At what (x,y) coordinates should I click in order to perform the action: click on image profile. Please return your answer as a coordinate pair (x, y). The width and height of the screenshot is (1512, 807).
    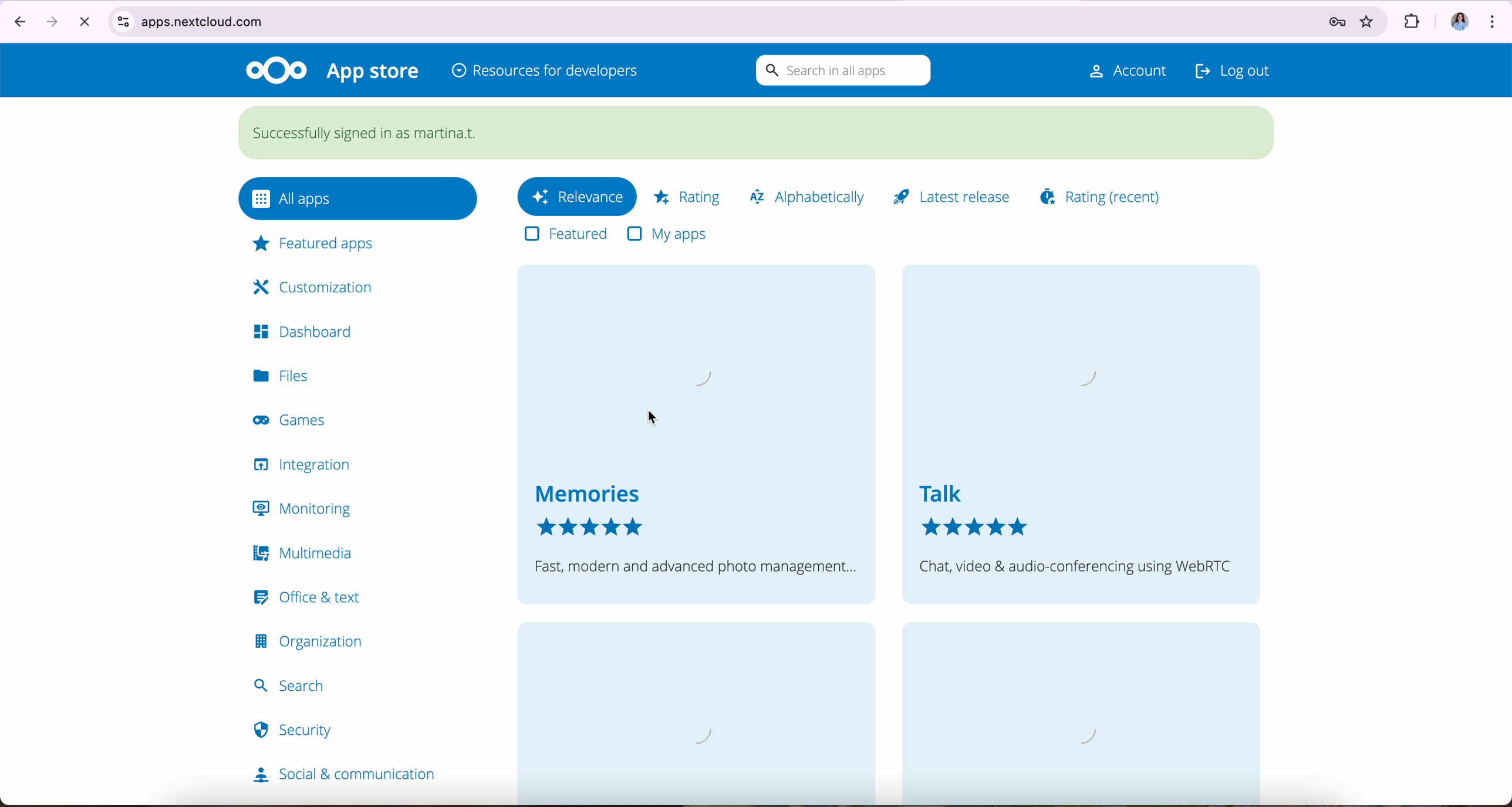
    Looking at the image, I should click on (1463, 21).